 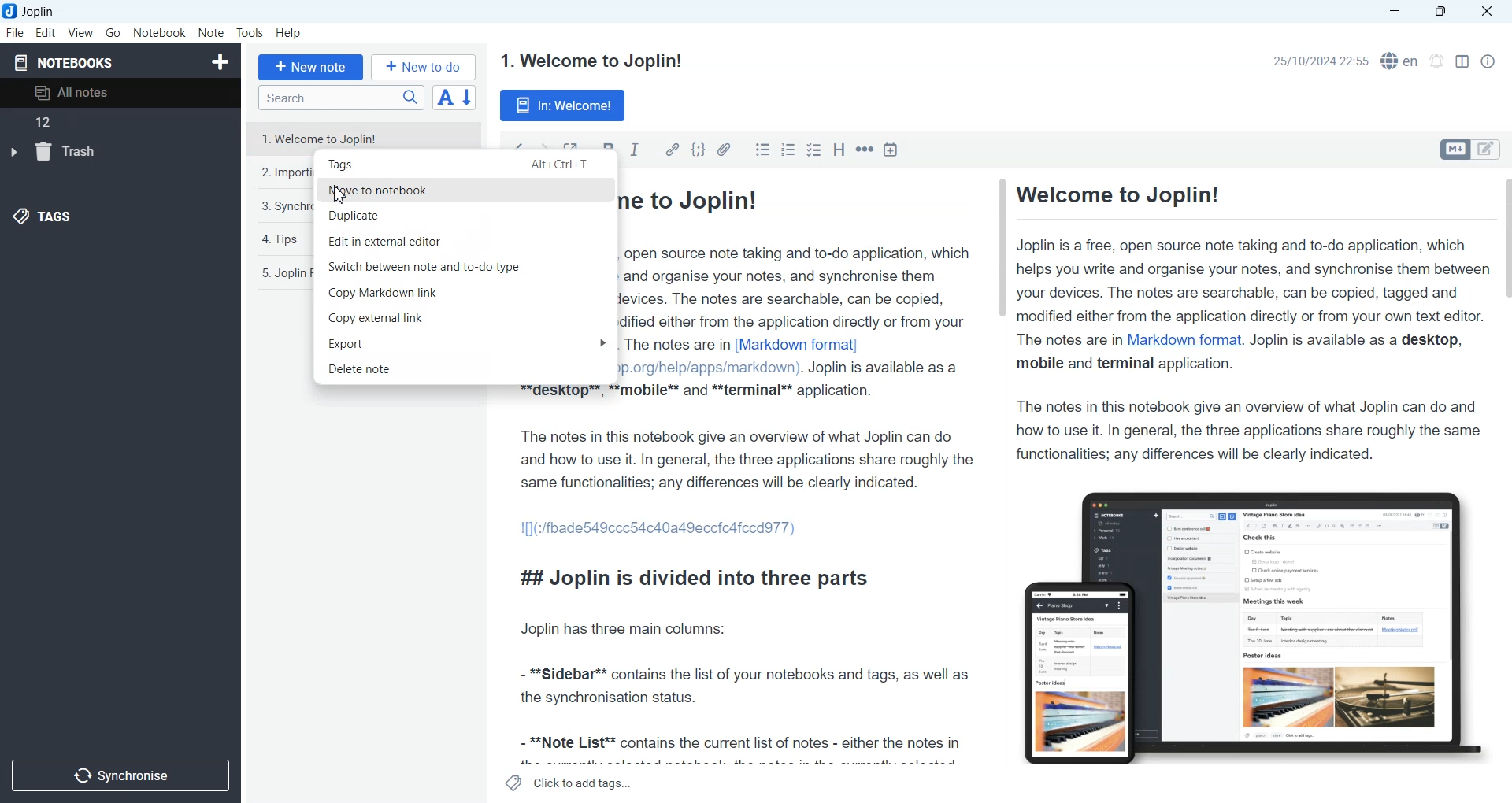 I want to click on Reverse sort order, so click(x=469, y=98).